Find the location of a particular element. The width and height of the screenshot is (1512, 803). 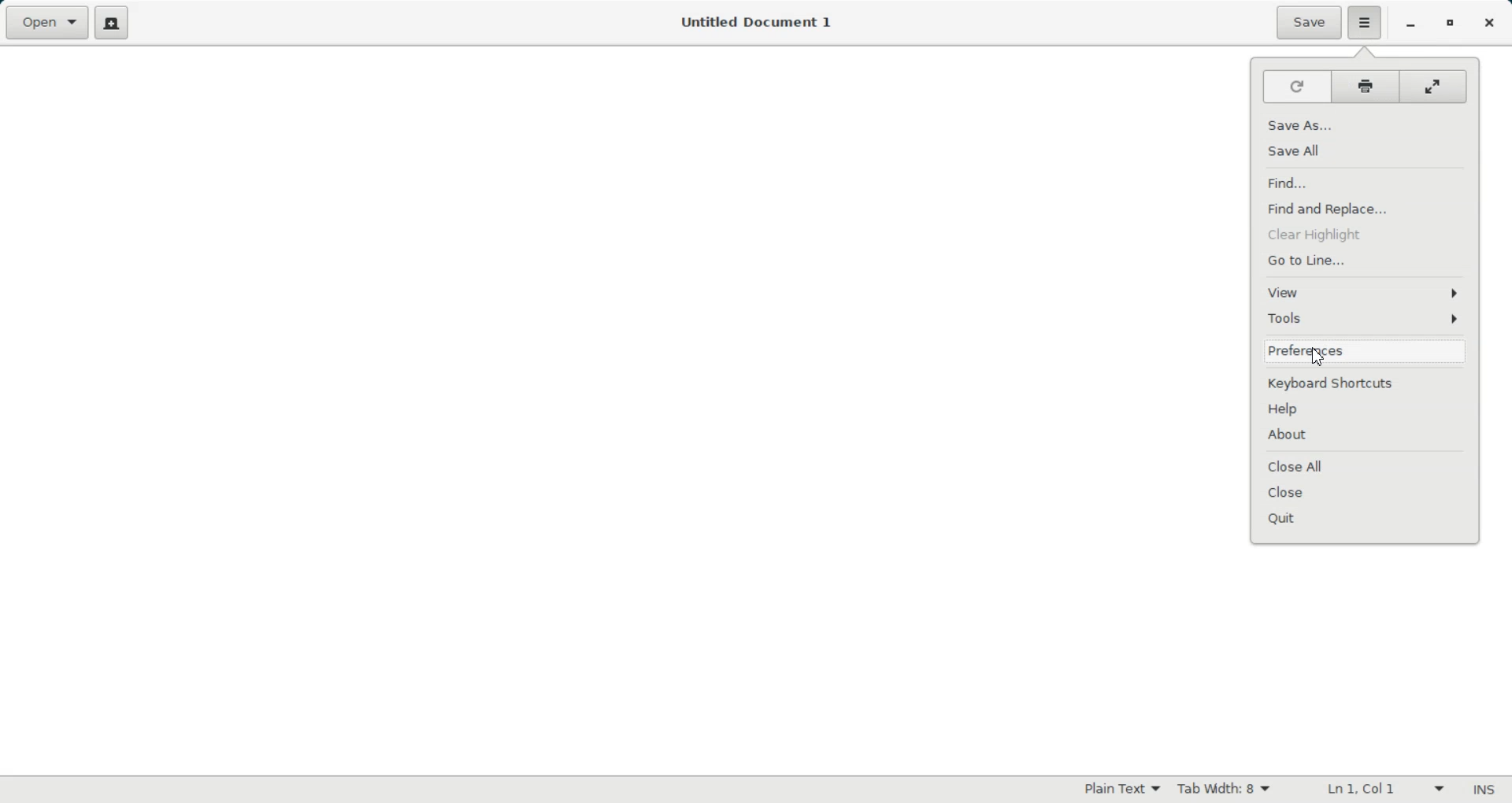

Create a new document is located at coordinates (116, 24).